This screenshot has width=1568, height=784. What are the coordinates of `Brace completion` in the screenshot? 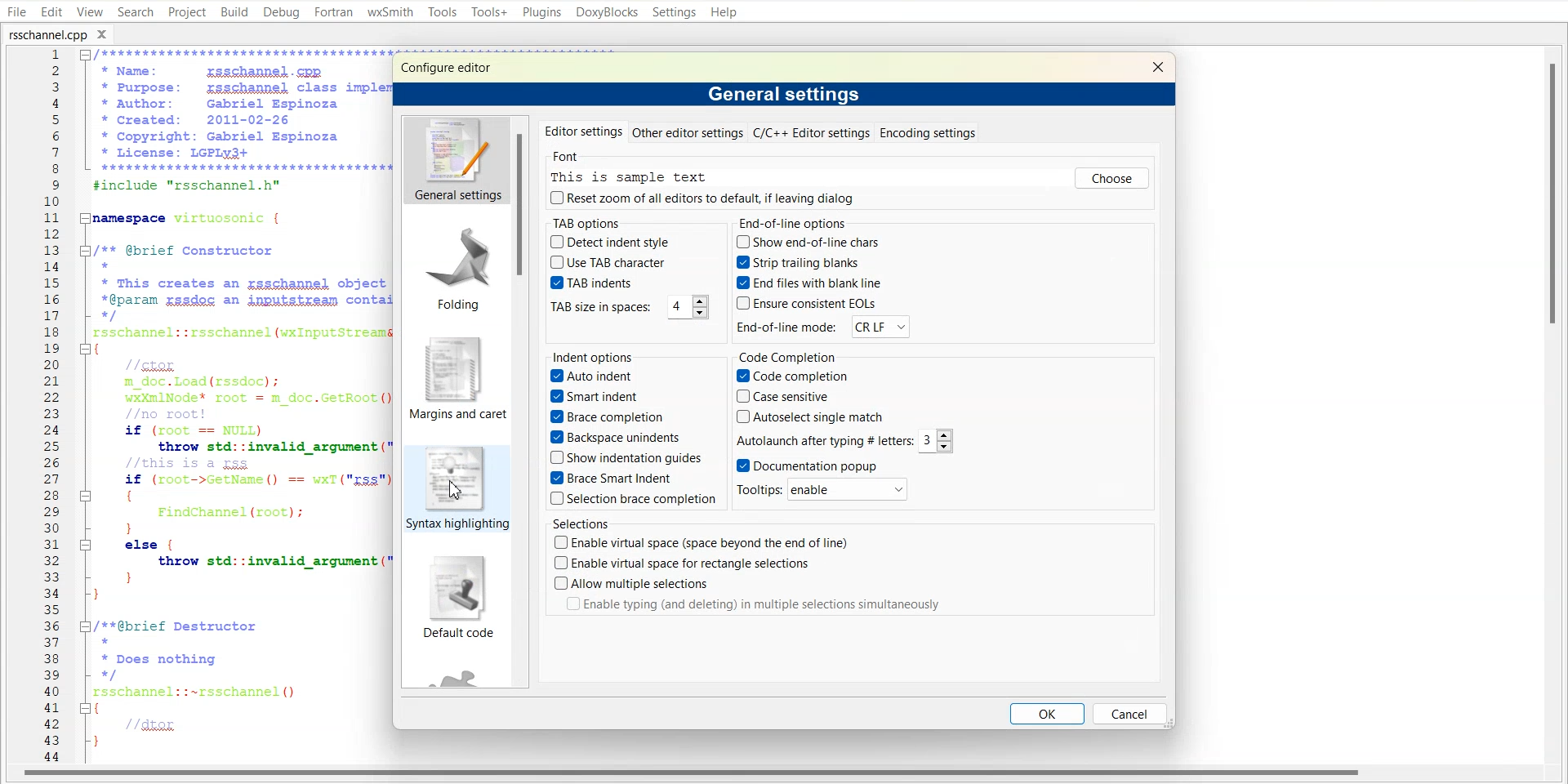 It's located at (608, 416).